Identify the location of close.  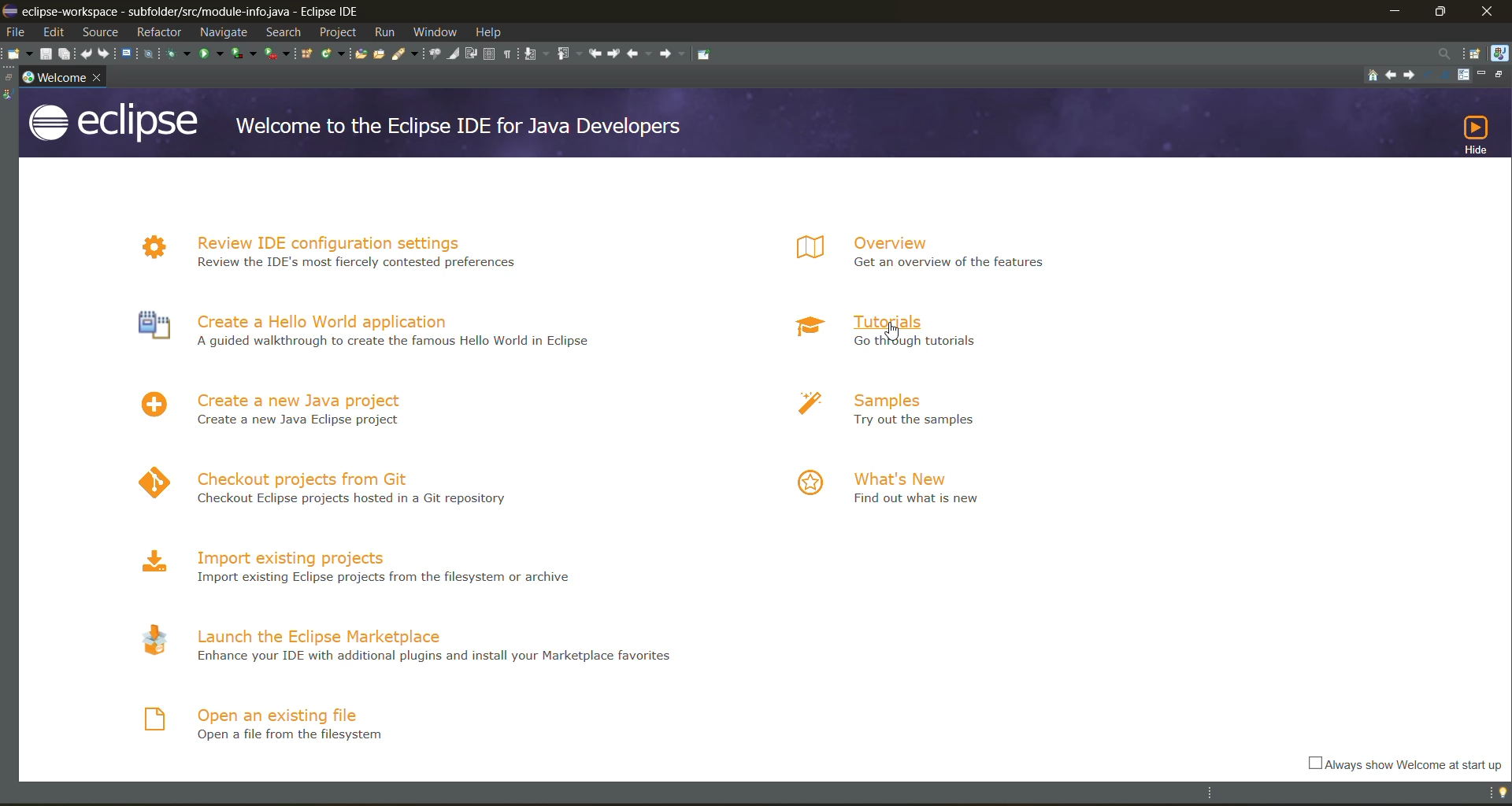
(1489, 11).